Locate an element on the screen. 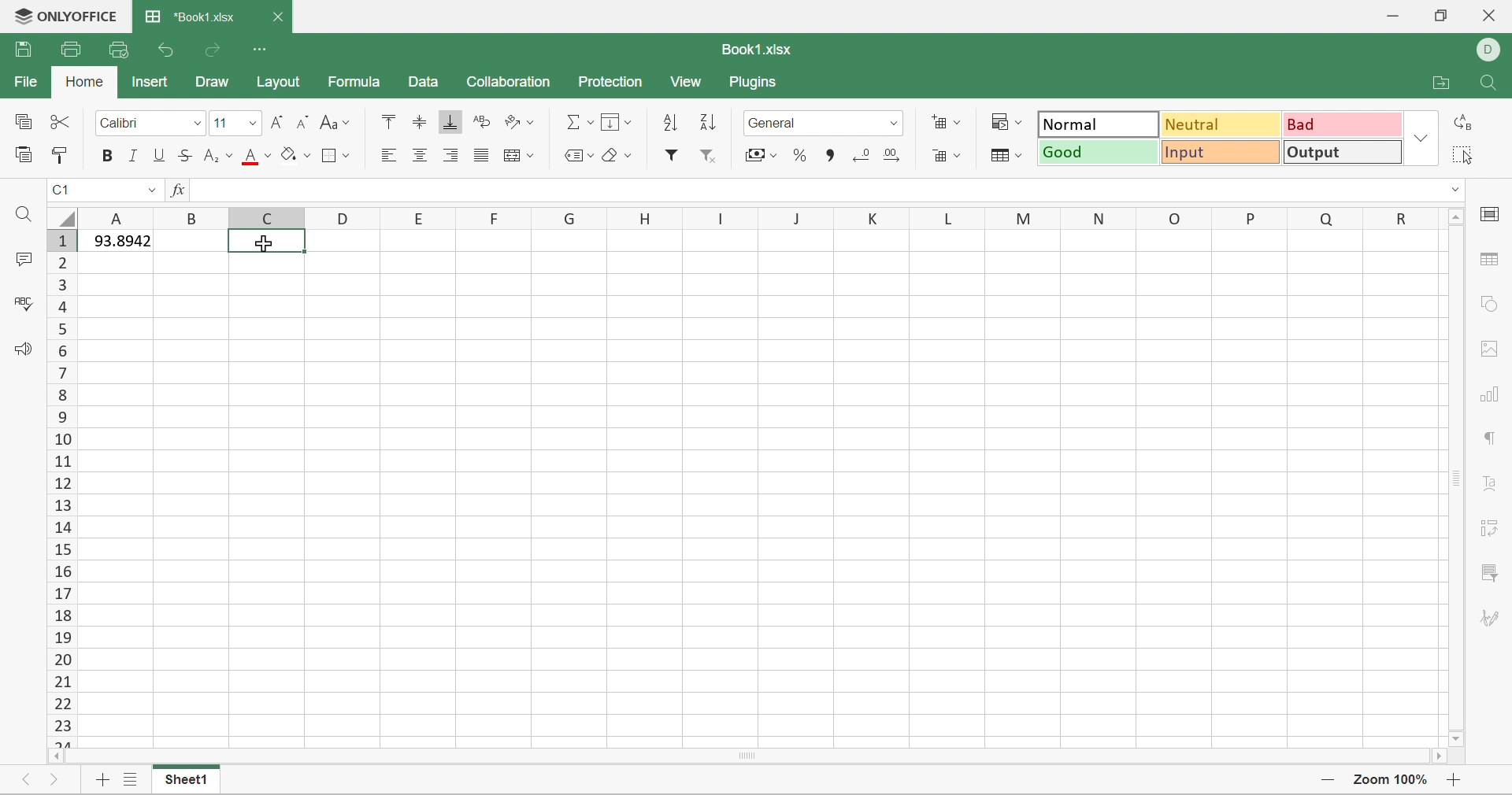 Image resolution: width=1512 pixels, height=795 pixels. fx is located at coordinates (178, 190).